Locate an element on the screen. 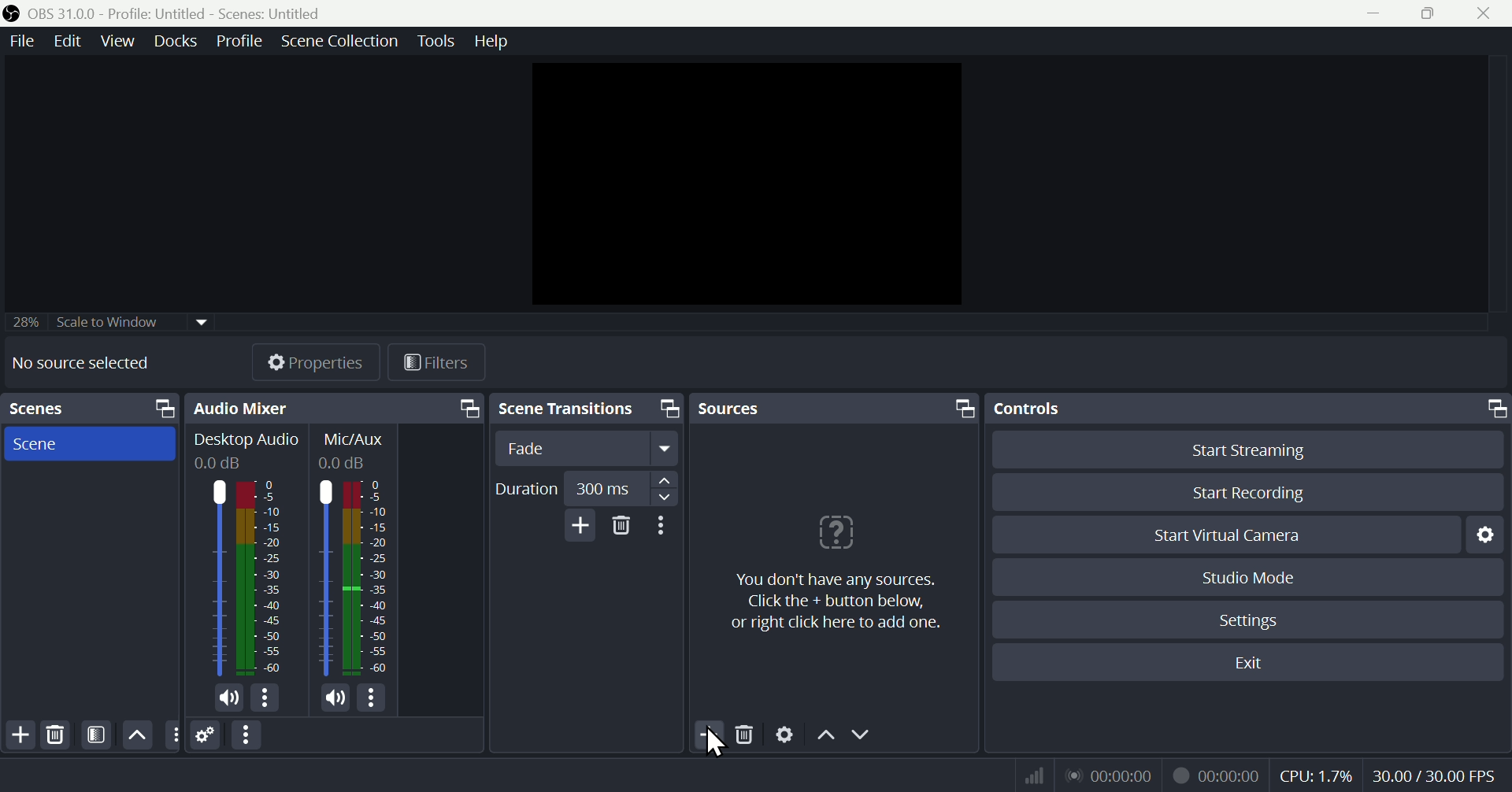  Bitrate is located at coordinates (1032, 774).